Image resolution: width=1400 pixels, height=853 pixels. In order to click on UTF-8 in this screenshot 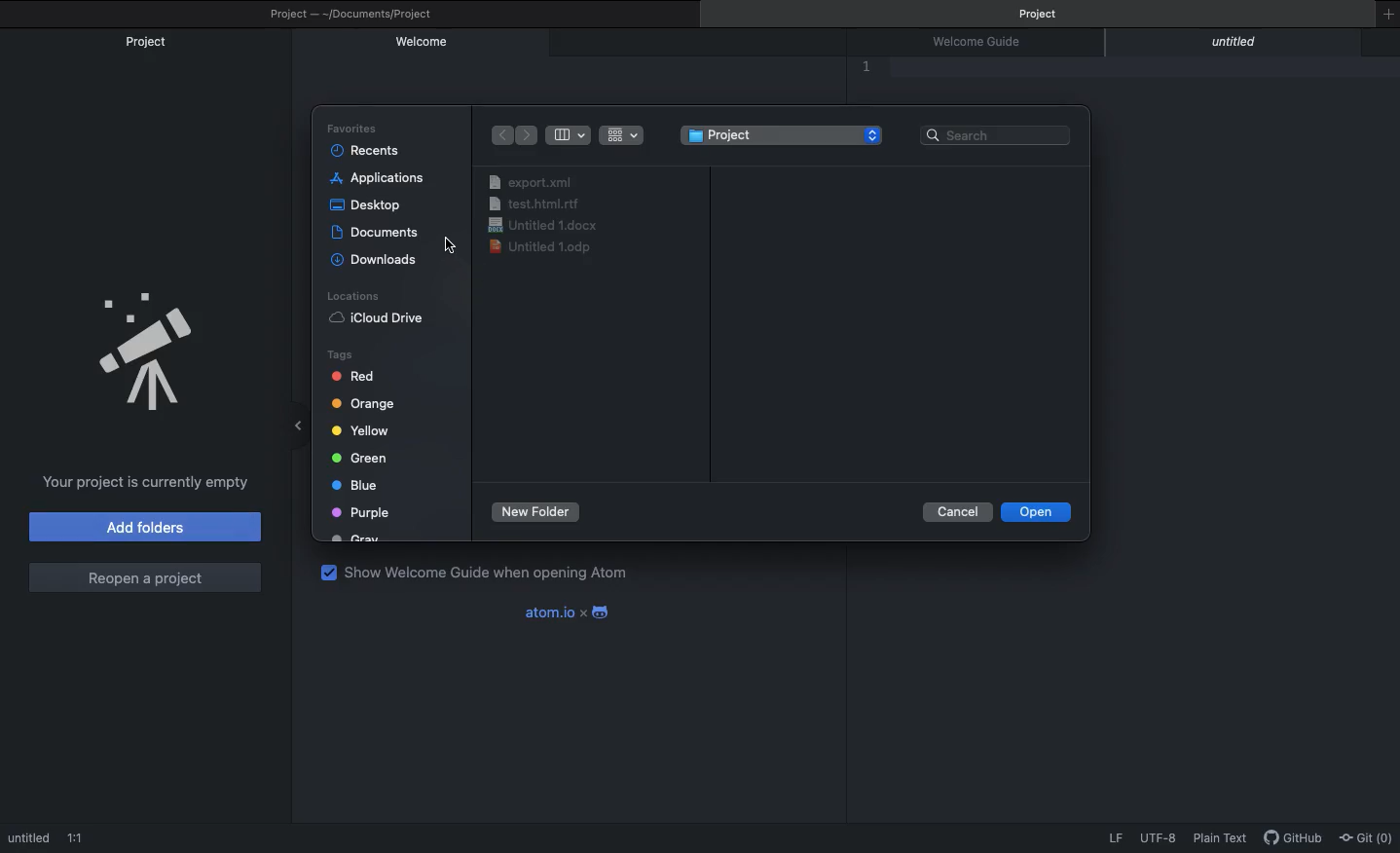, I will do `click(1158, 835)`.